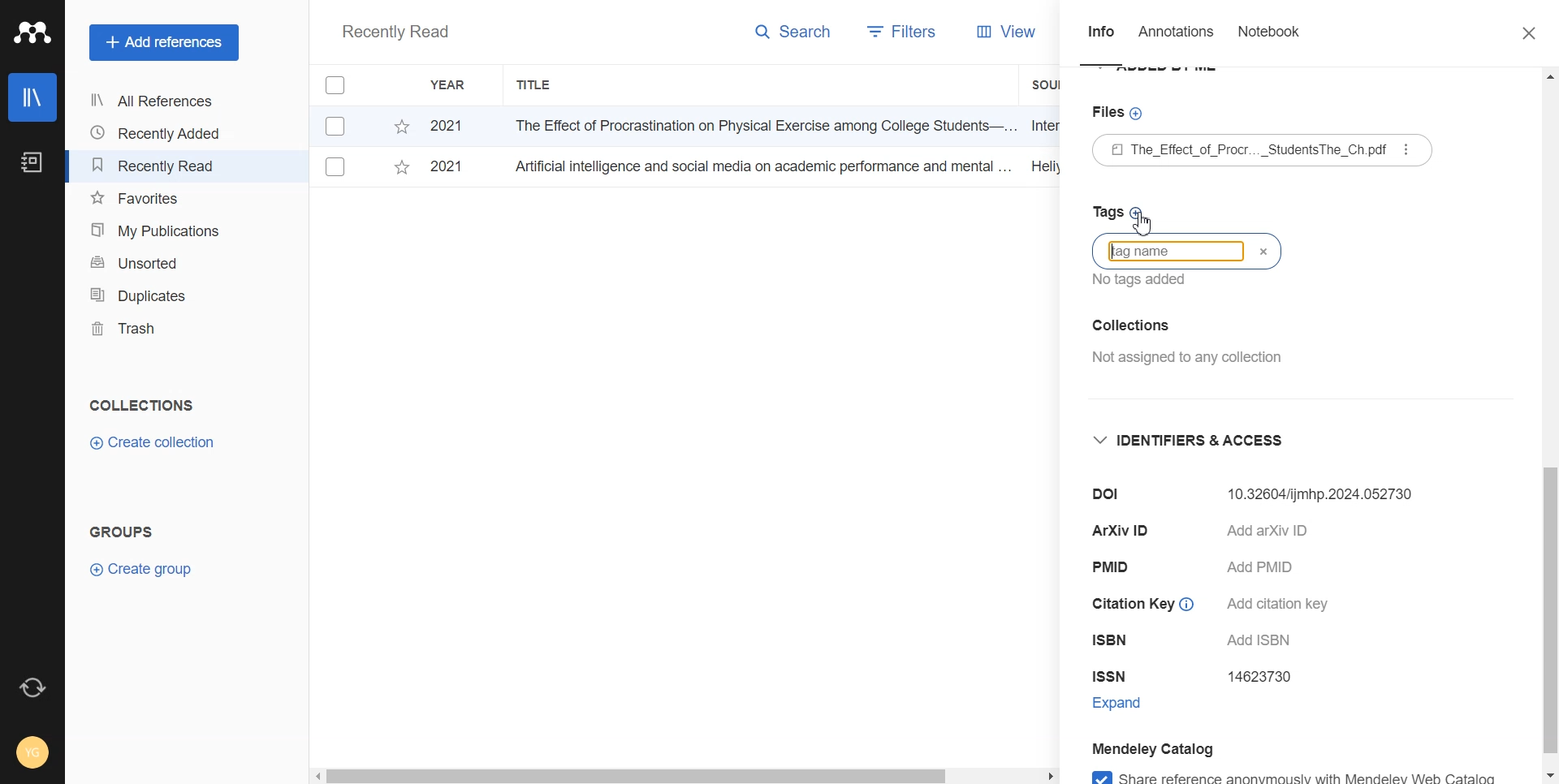 This screenshot has height=784, width=1559. What do you see at coordinates (1221, 535) in the screenshot?
I see `ArXiv ID Add arXiv ID` at bounding box center [1221, 535].